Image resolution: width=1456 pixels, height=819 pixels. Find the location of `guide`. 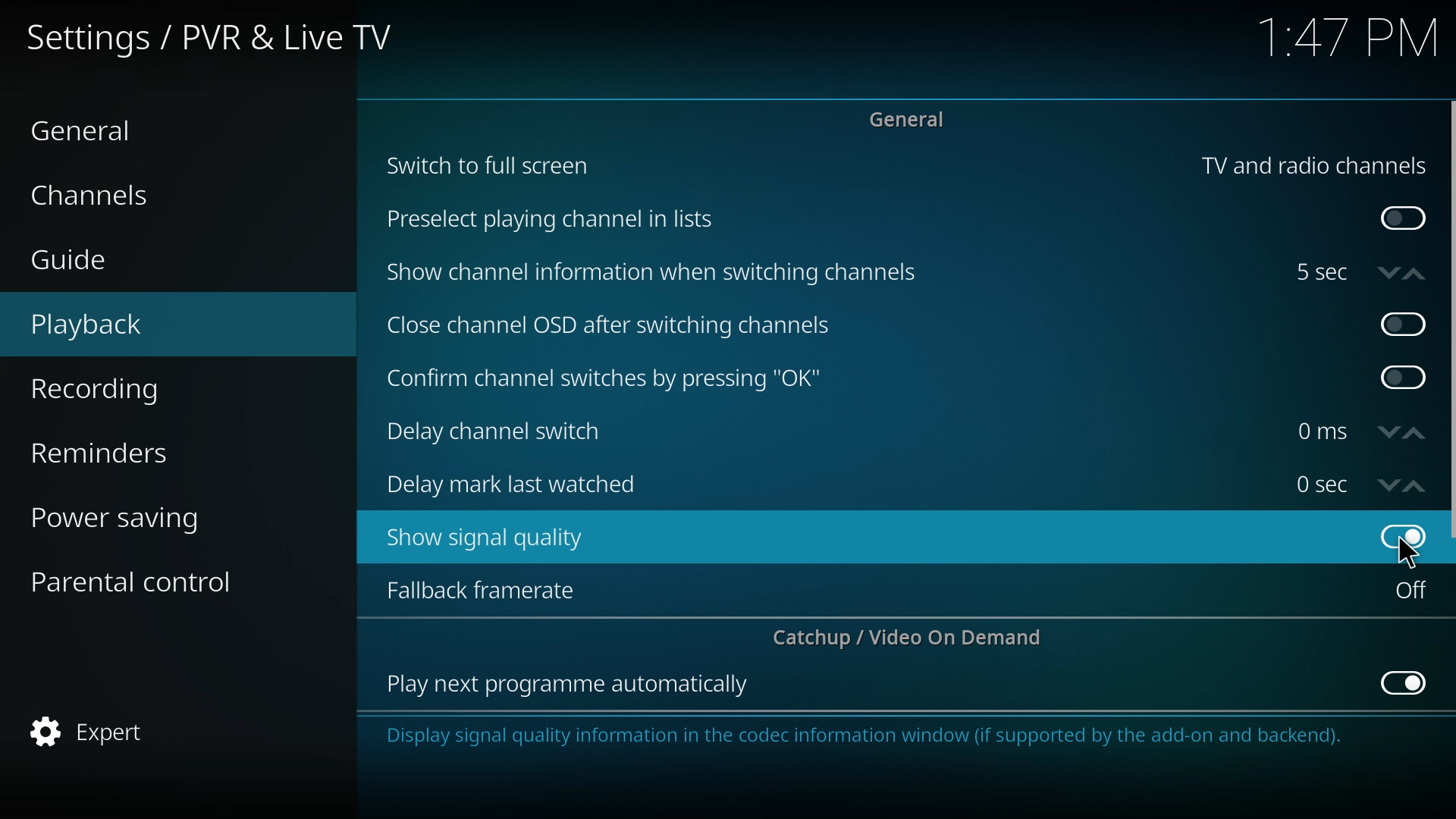

guide is located at coordinates (124, 262).